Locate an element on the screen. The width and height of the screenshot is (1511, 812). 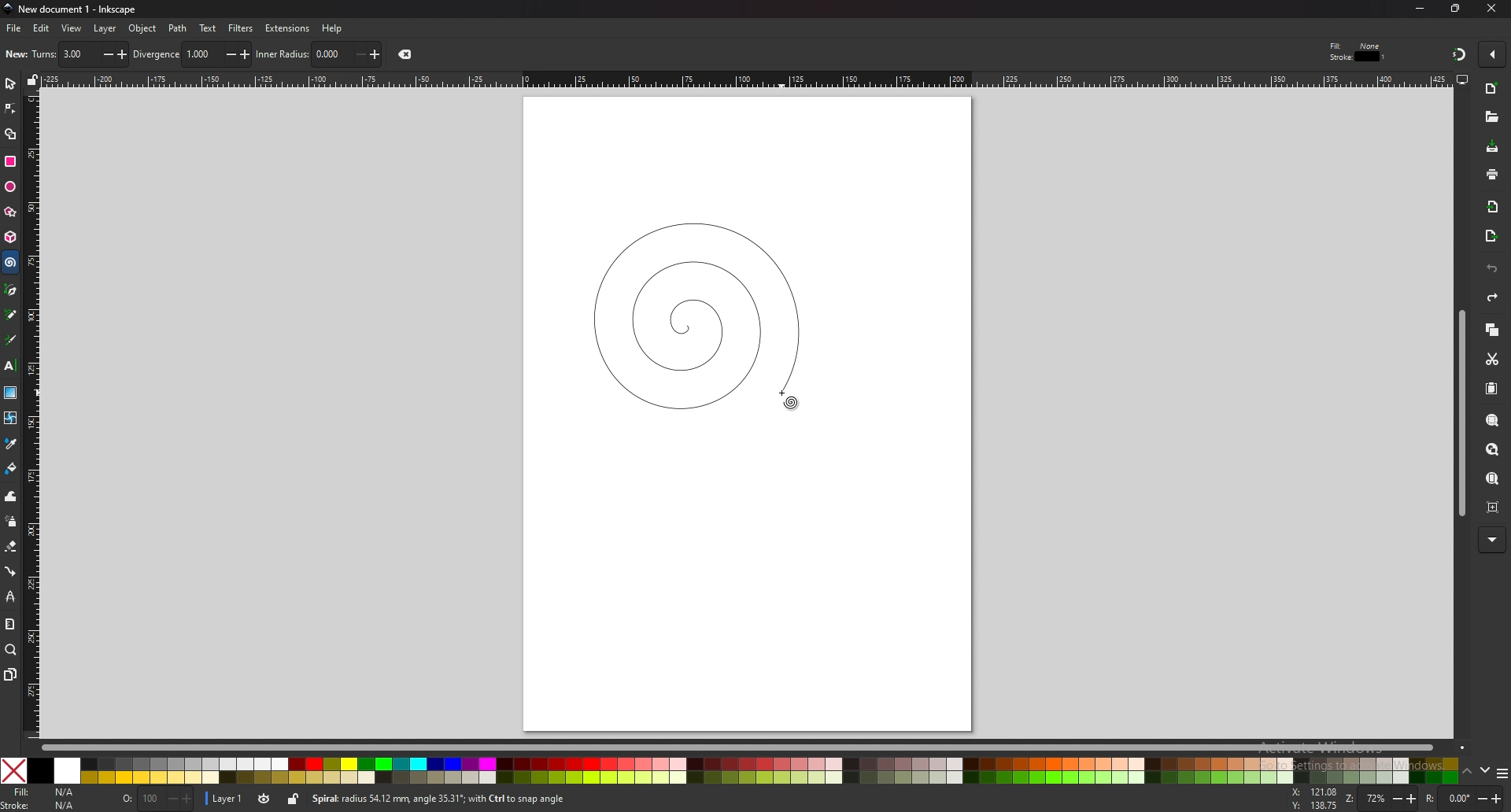
pages is located at coordinates (11, 674).